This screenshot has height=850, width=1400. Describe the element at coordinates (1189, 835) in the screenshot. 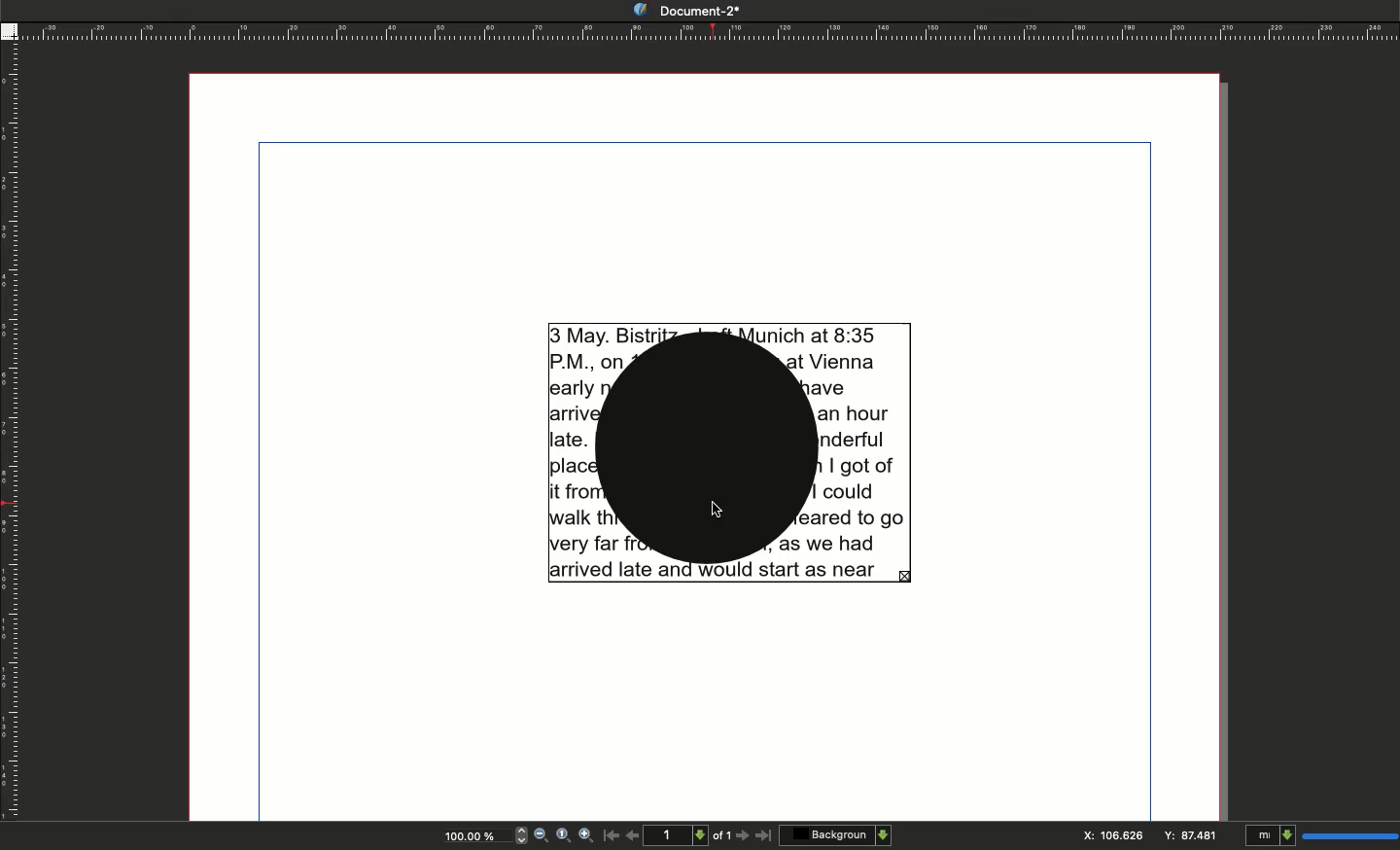

I see `Y: 87.481` at that location.